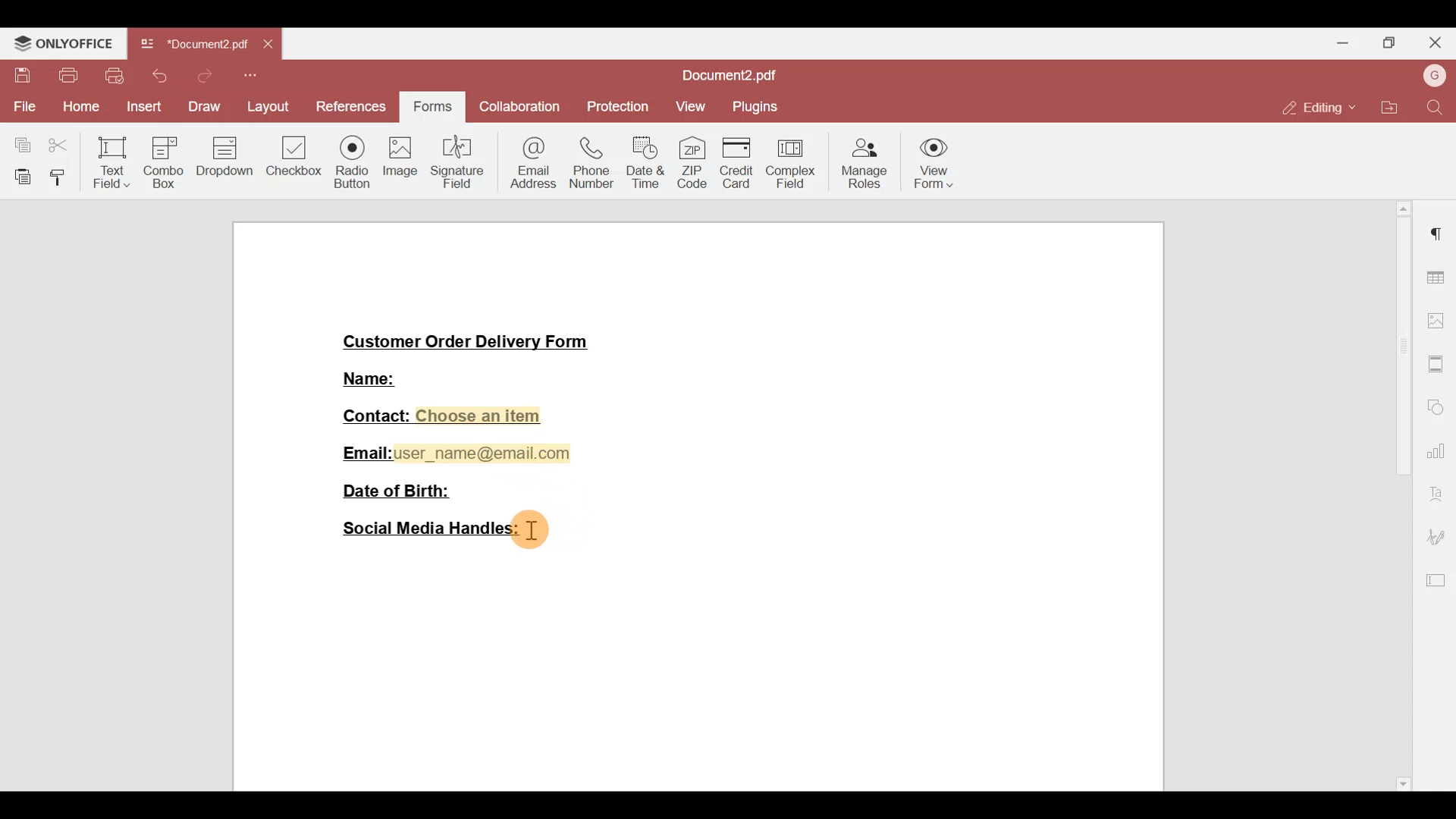 The height and width of the screenshot is (819, 1456). Describe the element at coordinates (167, 160) in the screenshot. I see `Combo box` at that location.